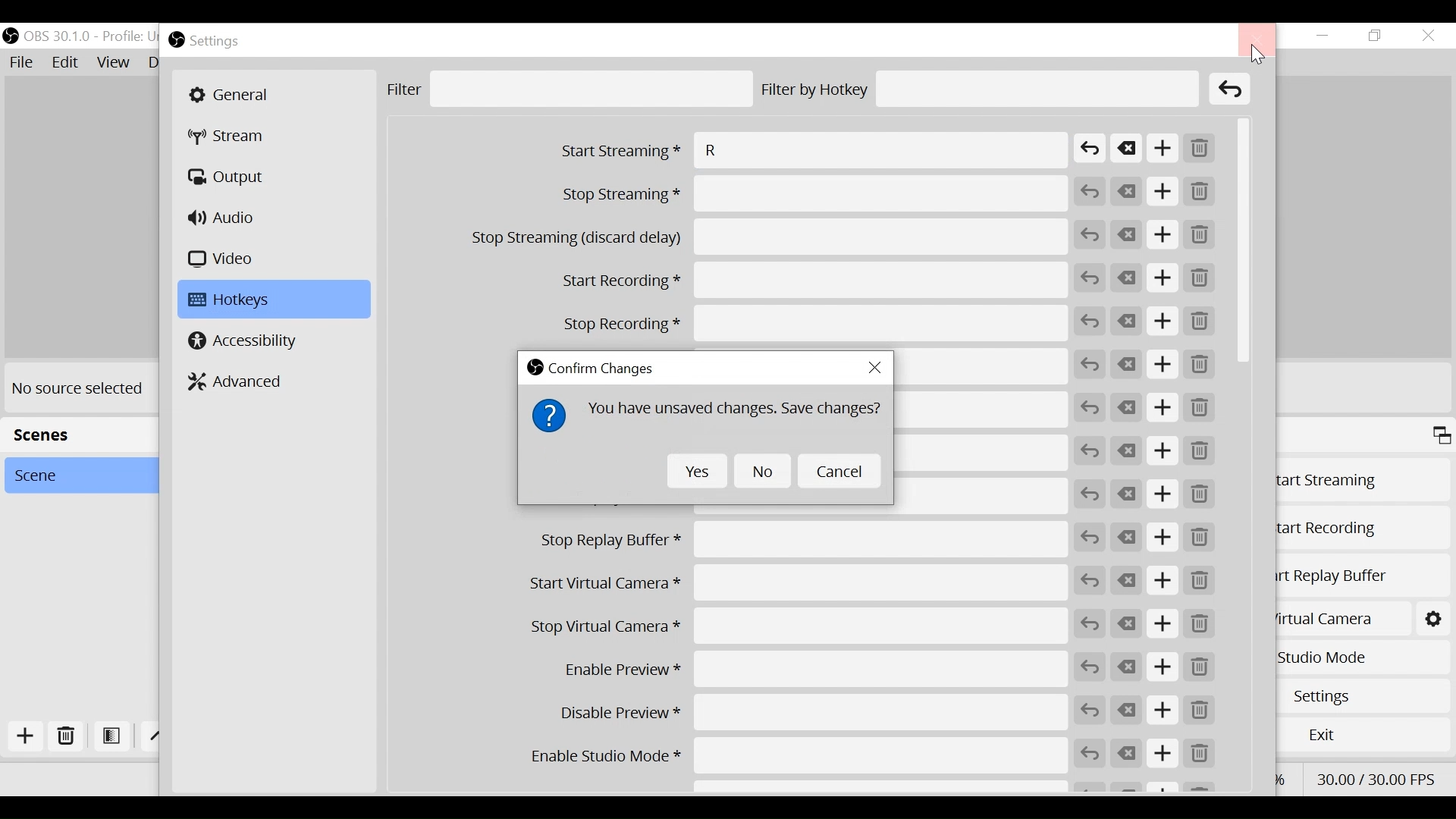  Describe the element at coordinates (1200, 670) in the screenshot. I see `Remove` at that location.